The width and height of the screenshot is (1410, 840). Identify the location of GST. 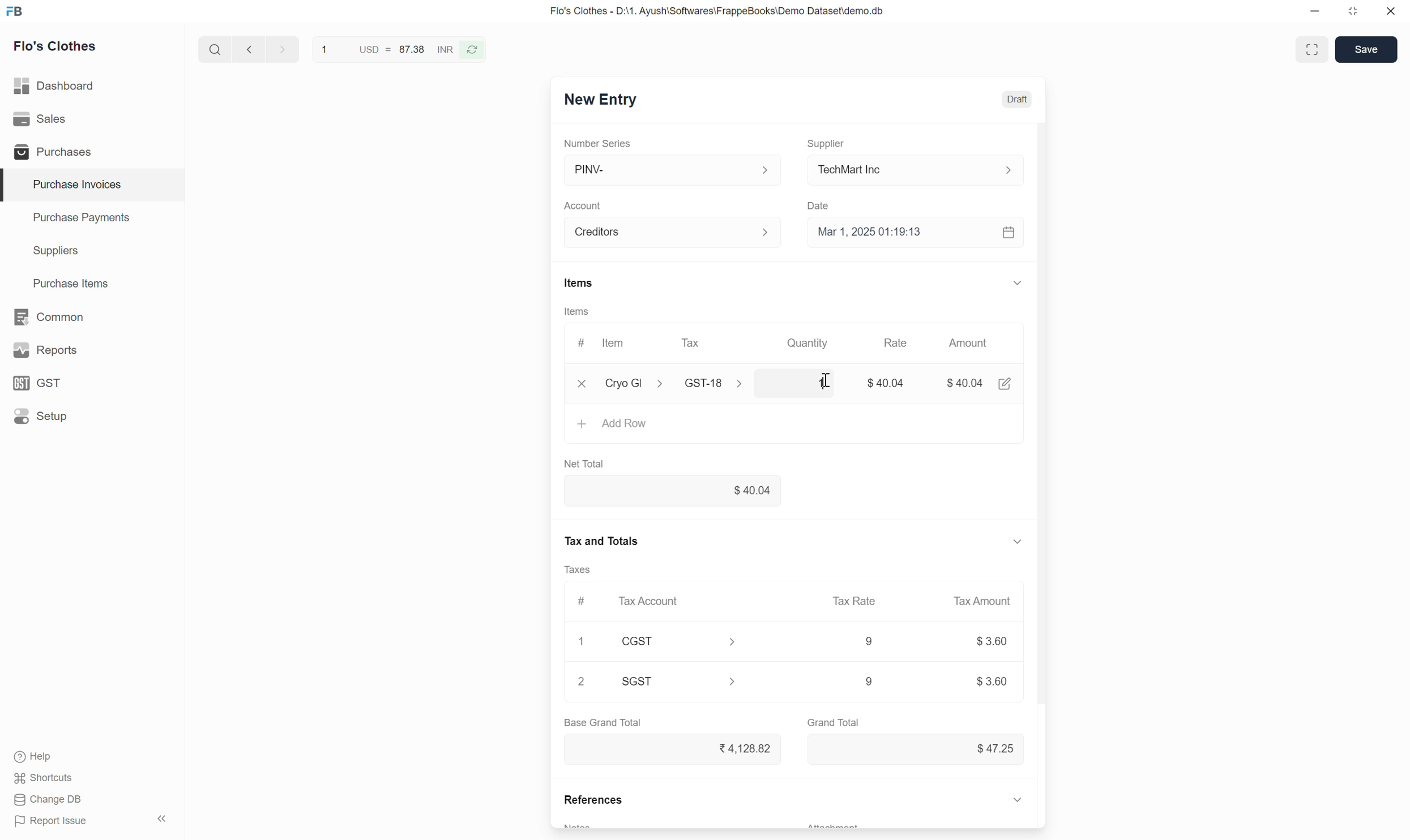
(42, 383).